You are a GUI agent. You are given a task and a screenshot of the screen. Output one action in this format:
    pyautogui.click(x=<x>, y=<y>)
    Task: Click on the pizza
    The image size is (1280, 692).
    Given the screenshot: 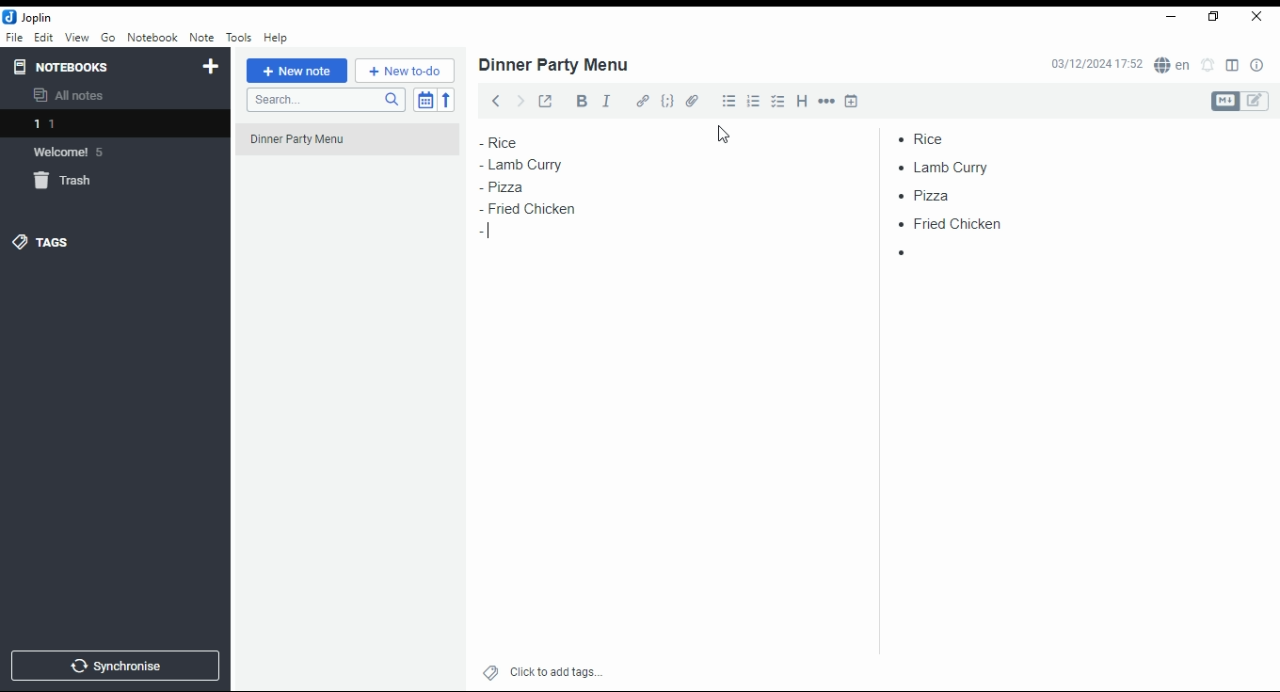 What is the action you would take?
    pyautogui.click(x=506, y=188)
    